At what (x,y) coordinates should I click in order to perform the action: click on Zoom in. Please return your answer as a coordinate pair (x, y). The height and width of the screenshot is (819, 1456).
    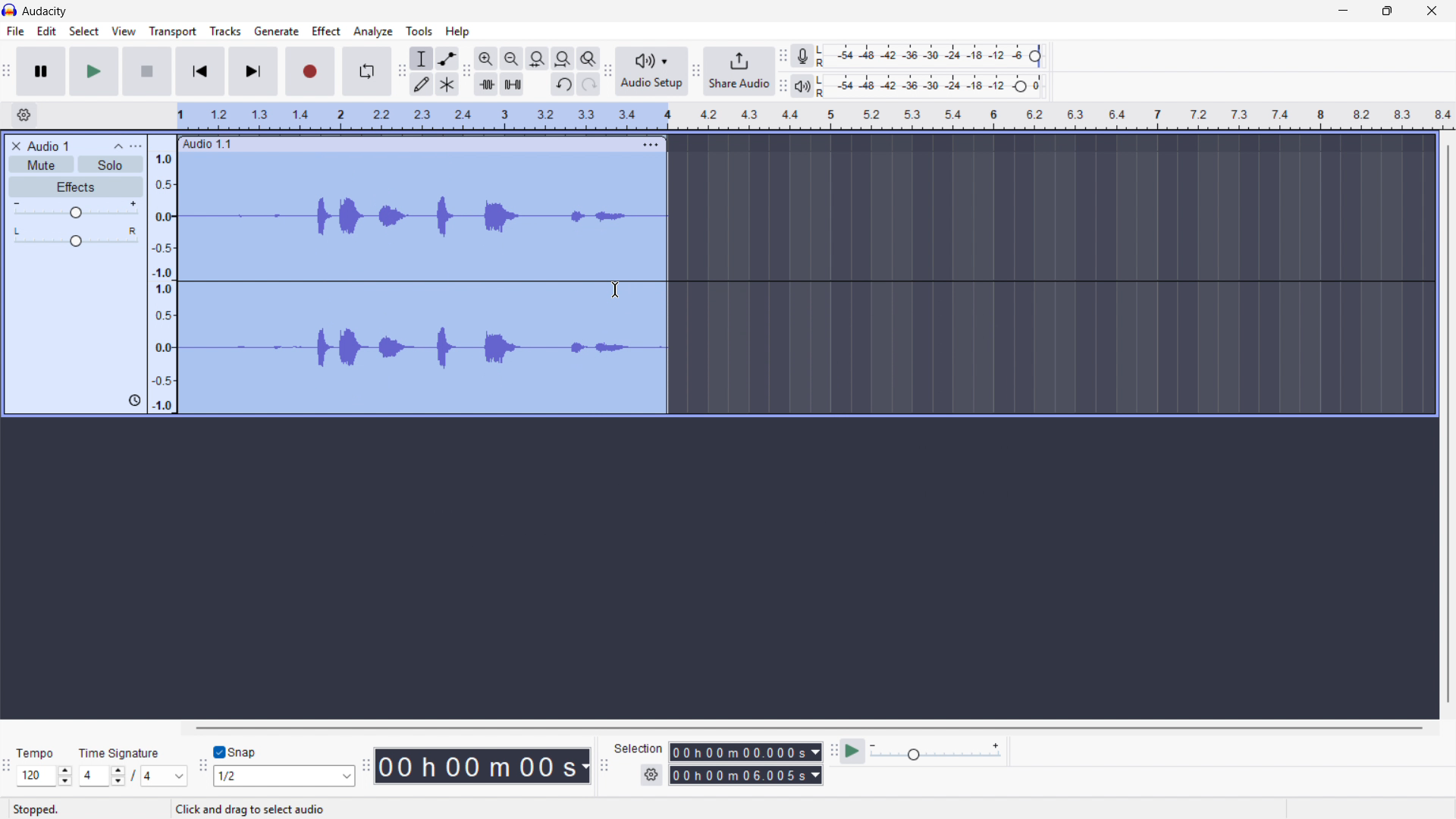
    Looking at the image, I should click on (486, 58).